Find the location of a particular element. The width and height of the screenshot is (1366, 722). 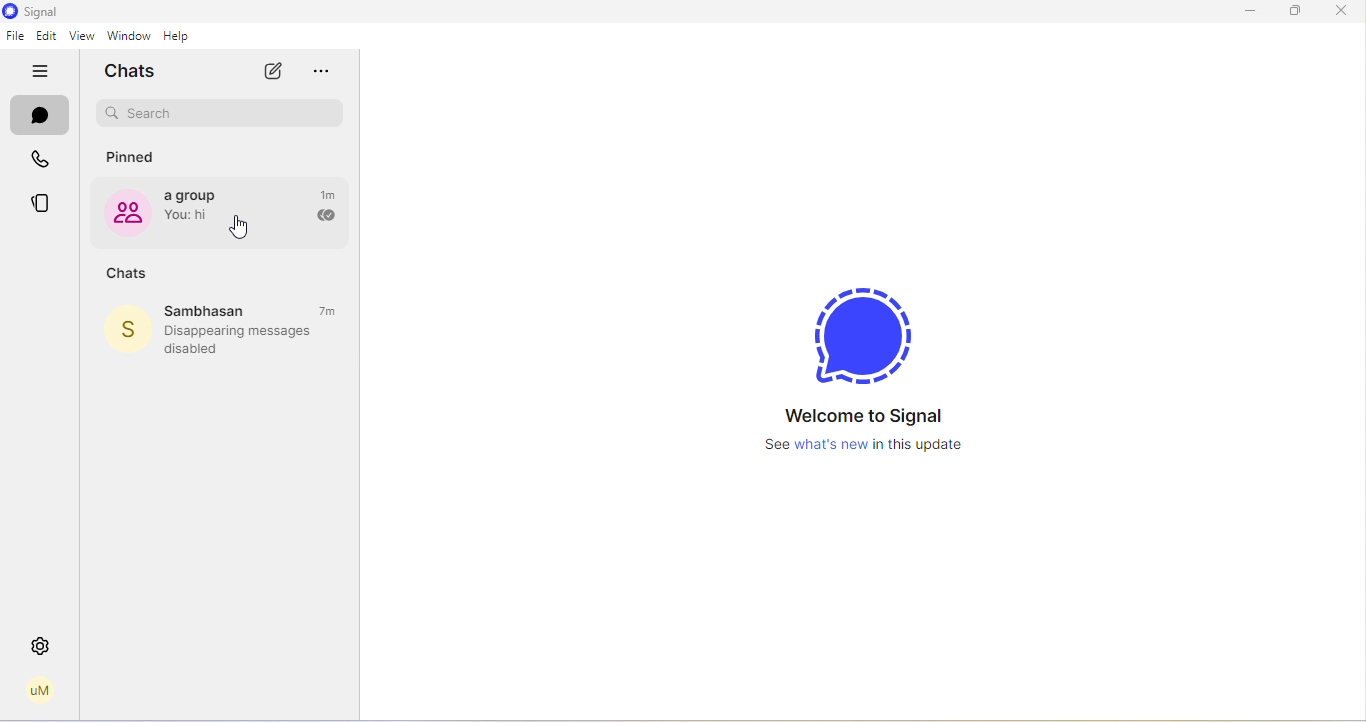

signal is located at coordinates (33, 12).